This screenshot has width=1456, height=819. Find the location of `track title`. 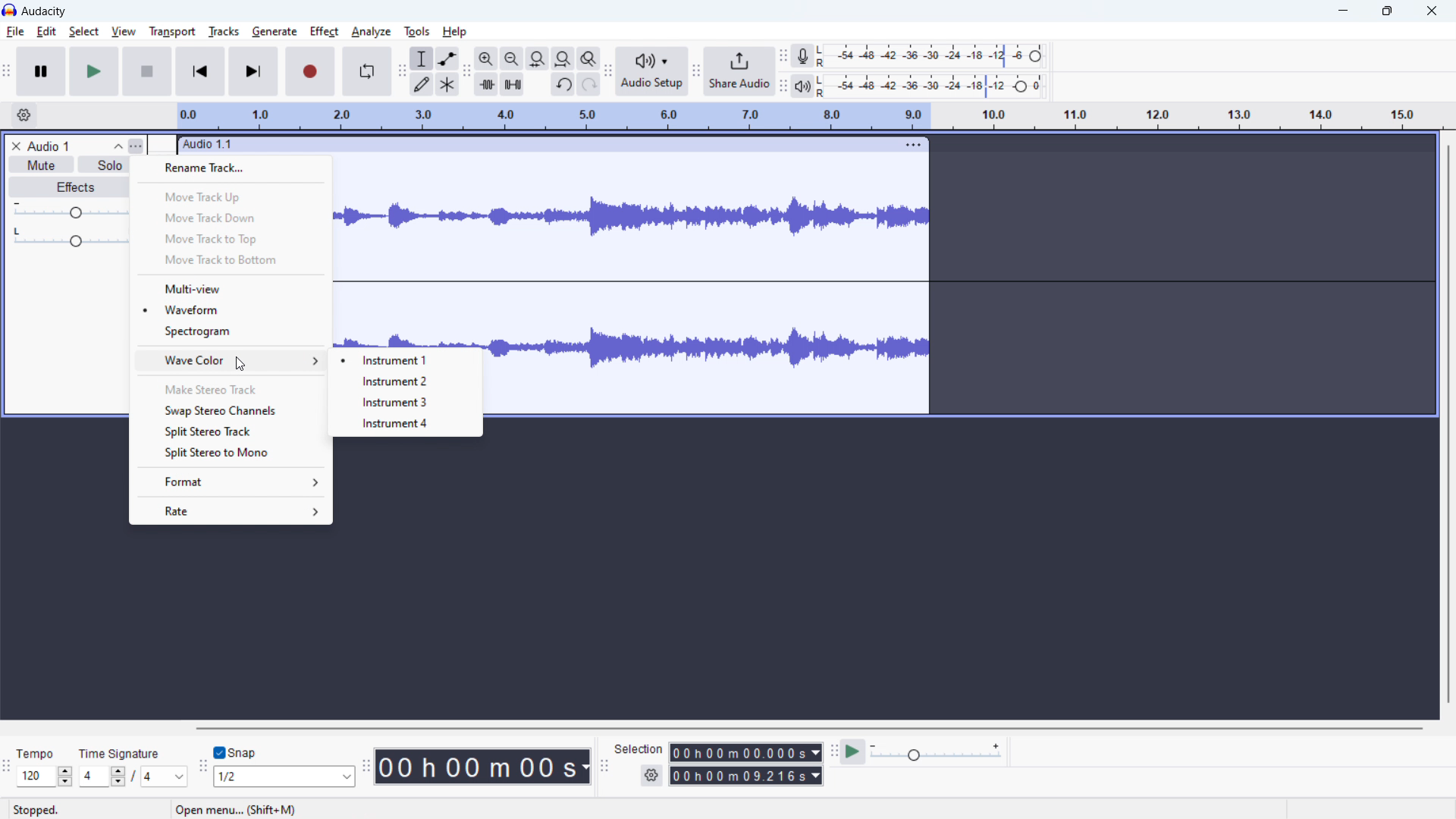

track title is located at coordinates (49, 146).